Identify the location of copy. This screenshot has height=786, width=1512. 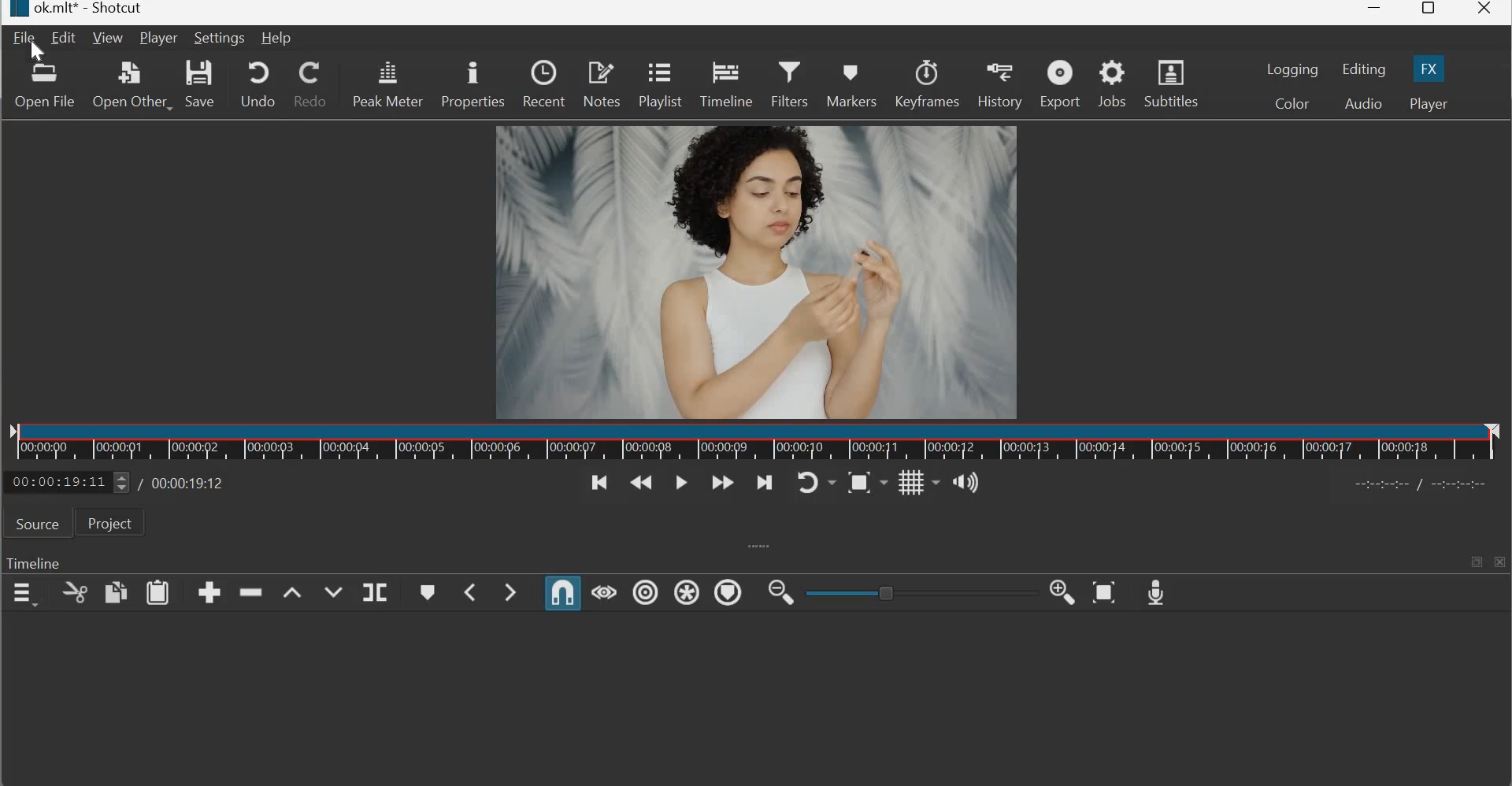
(76, 592).